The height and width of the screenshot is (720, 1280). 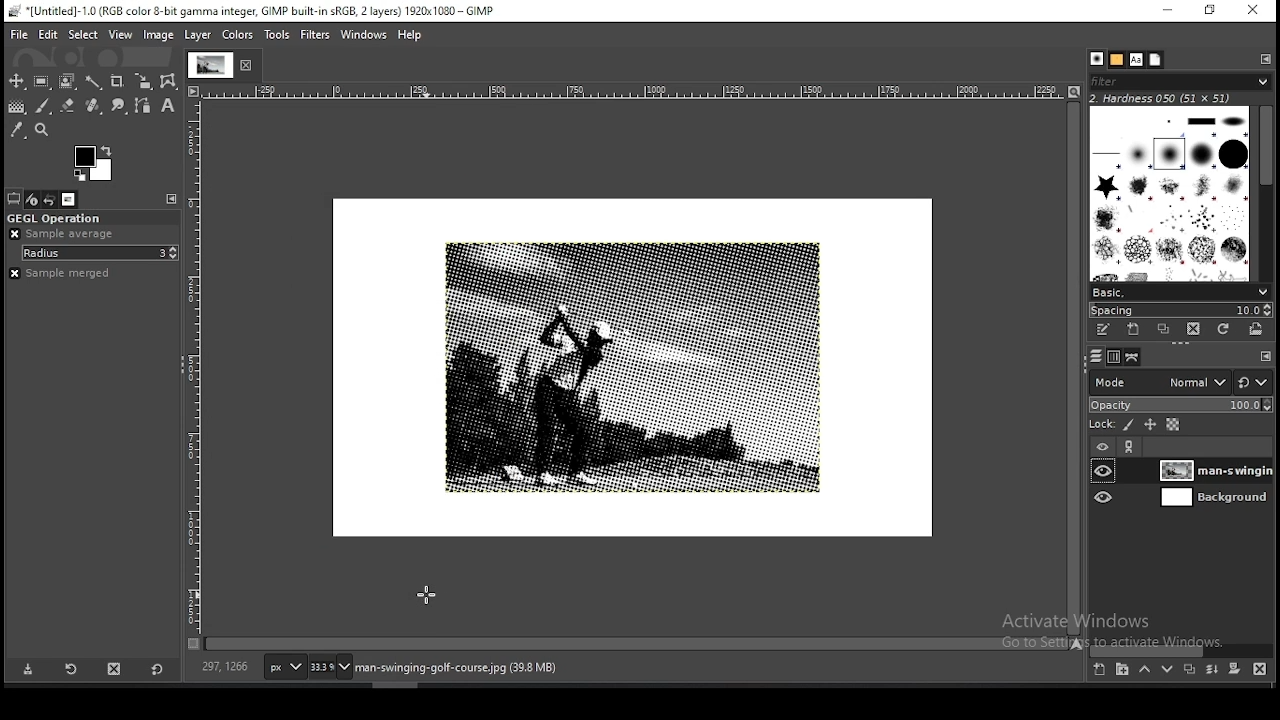 I want to click on link, so click(x=1130, y=446).